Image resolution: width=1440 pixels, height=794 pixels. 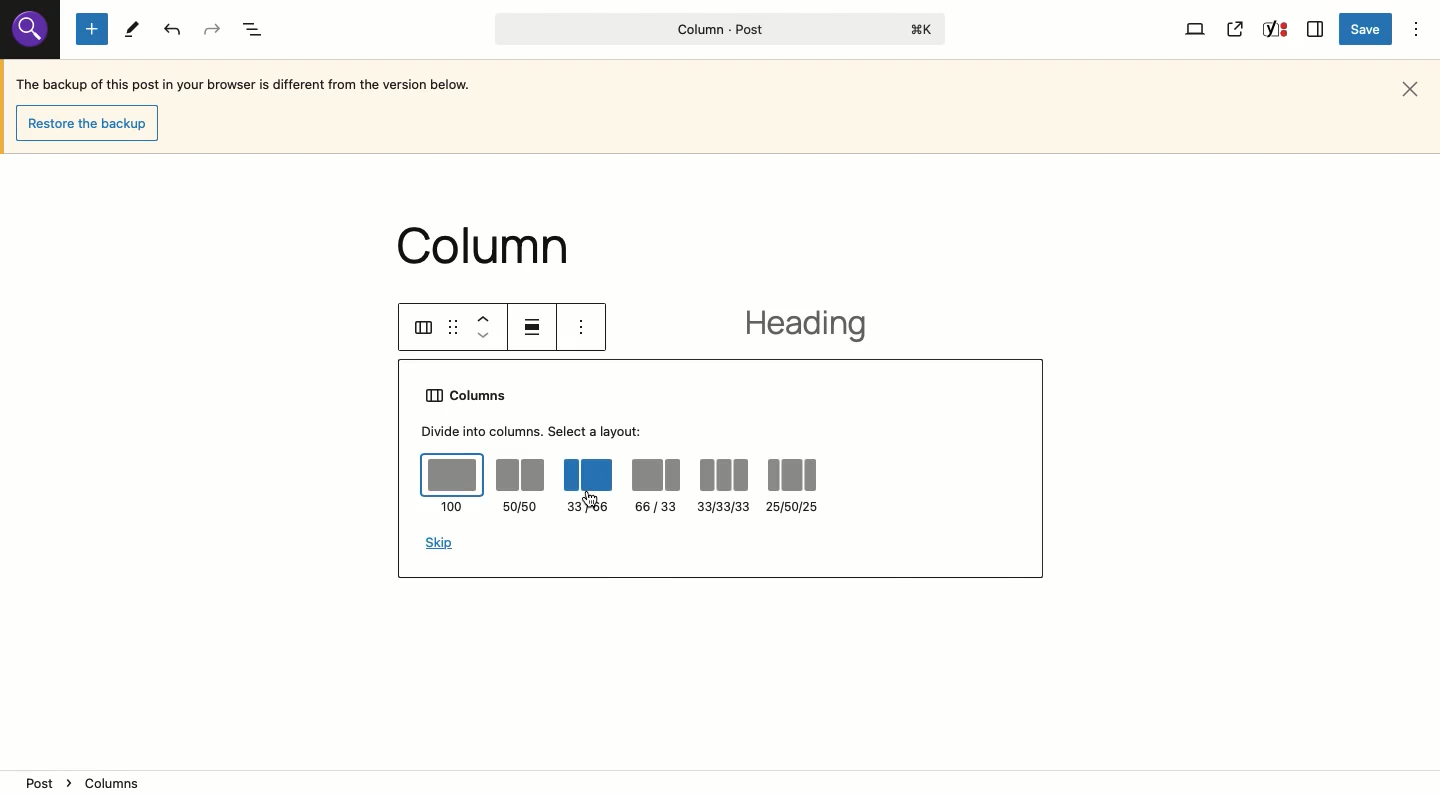 What do you see at coordinates (440, 543) in the screenshot?
I see `Skip` at bounding box center [440, 543].